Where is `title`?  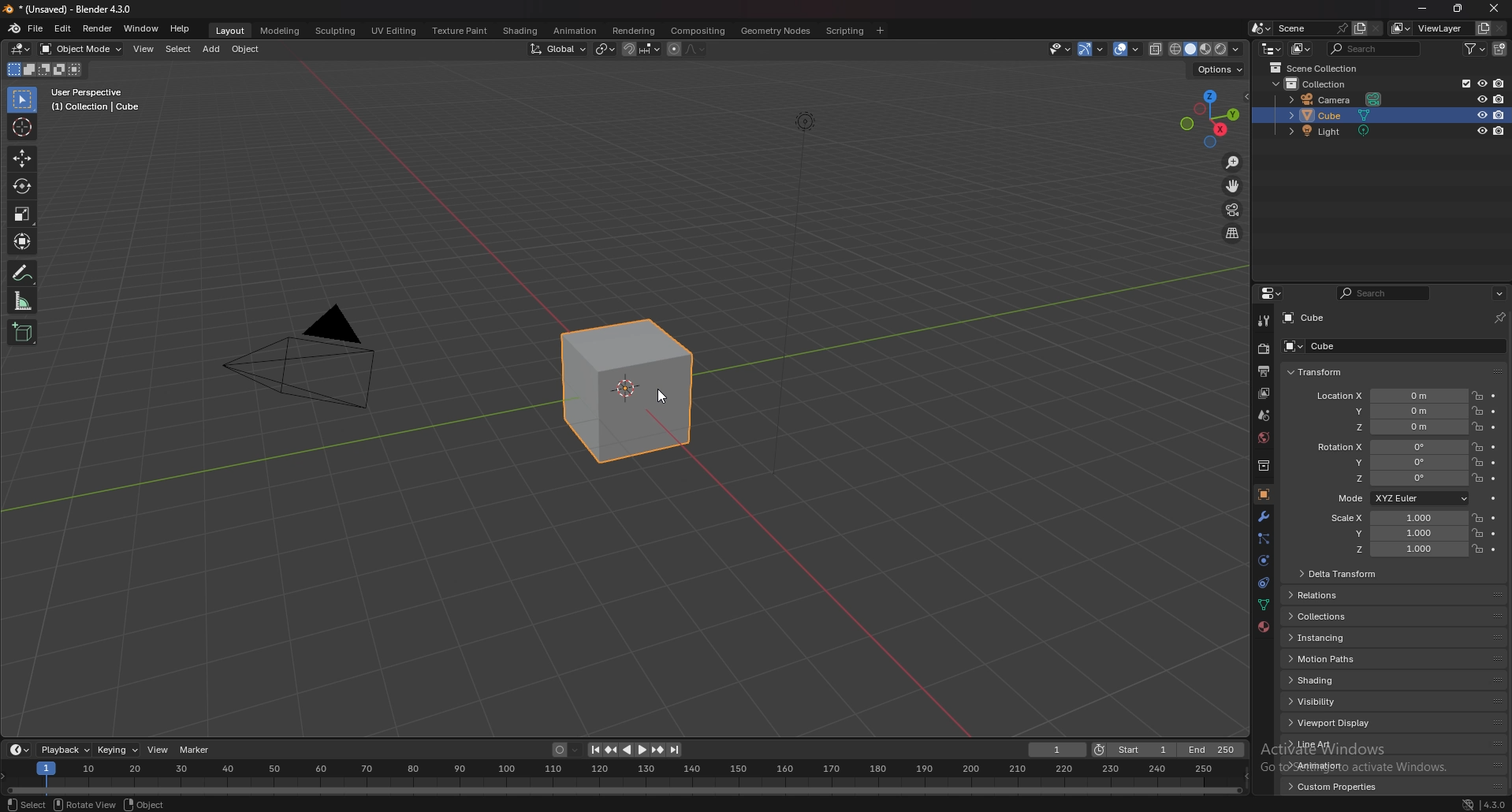
title is located at coordinates (71, 9).